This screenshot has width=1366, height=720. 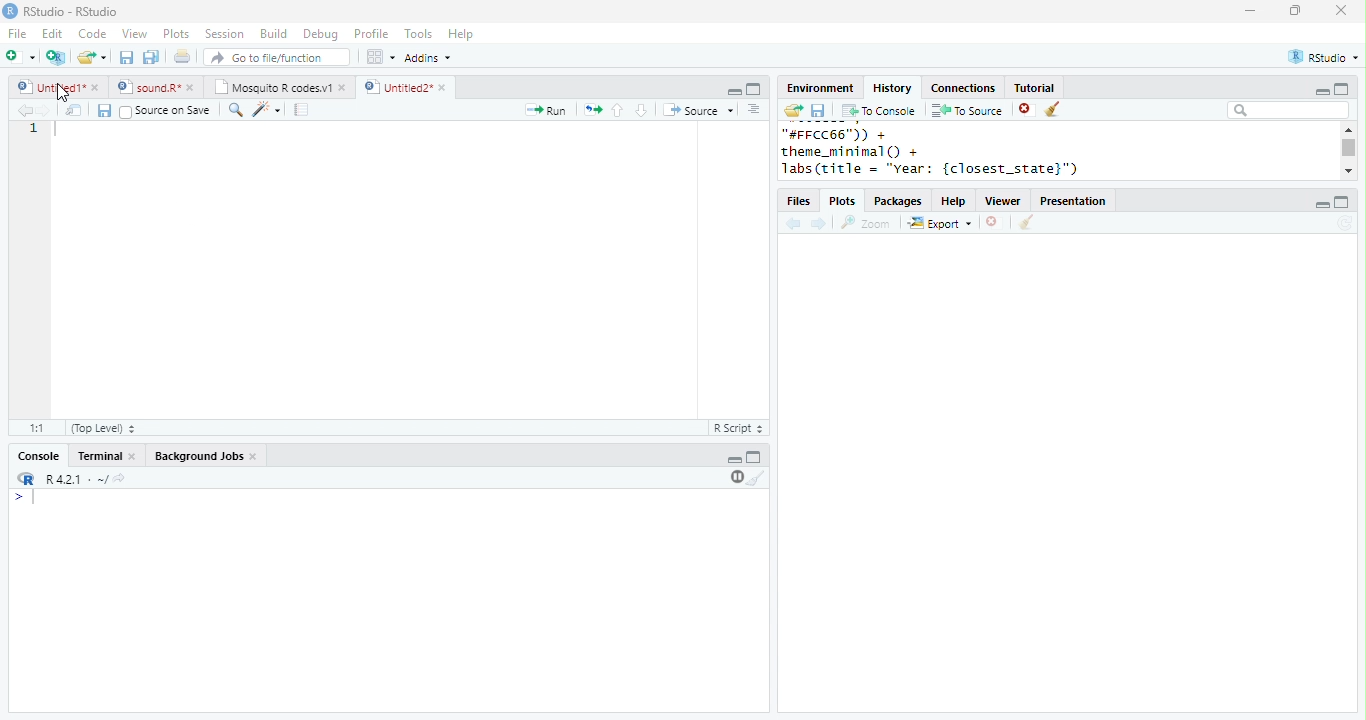 What do you see at coordinates (38, 456) in the screenshot?
I see `Console` at bounding box center [38, 456].